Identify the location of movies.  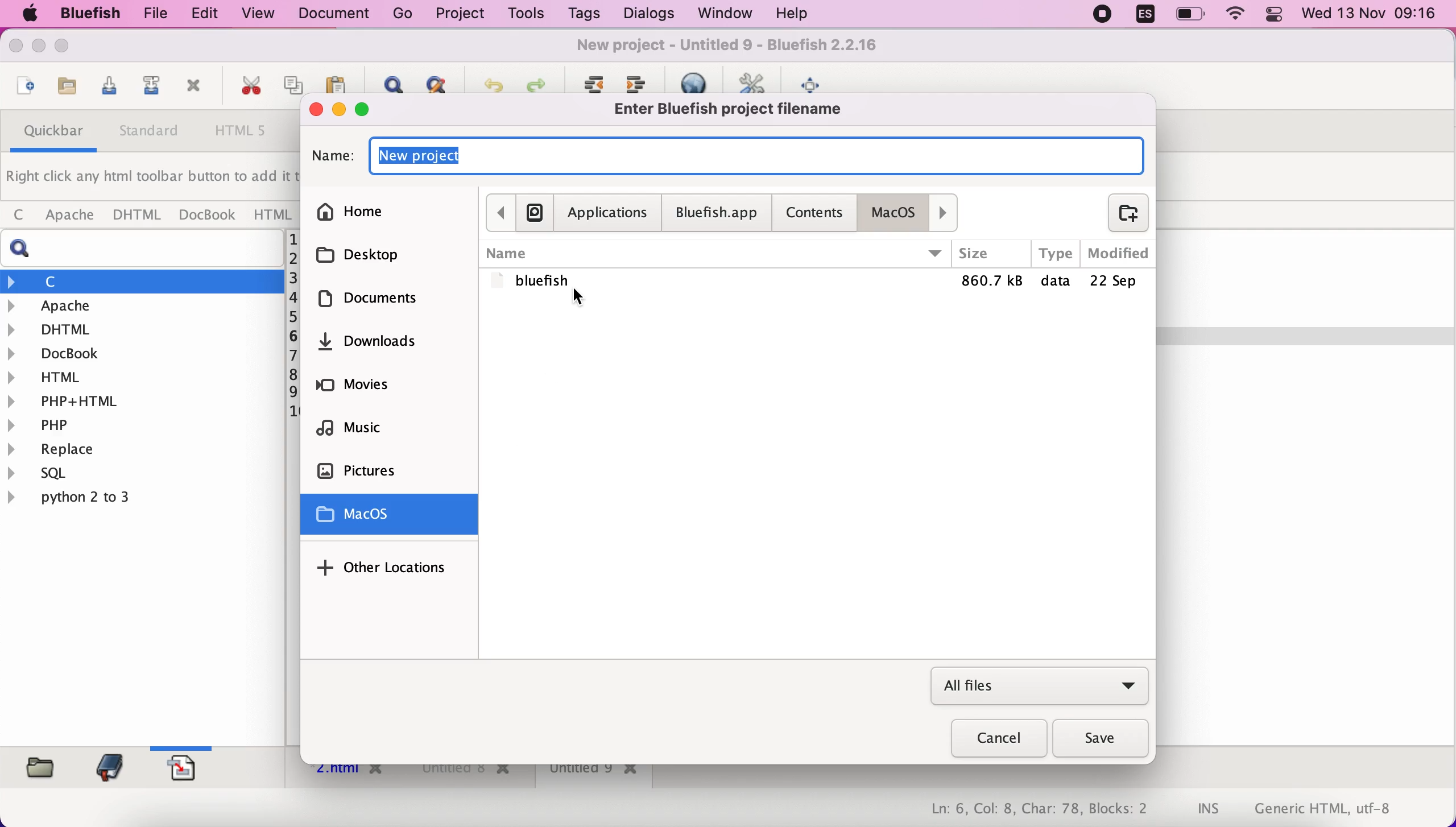
(387, 389).